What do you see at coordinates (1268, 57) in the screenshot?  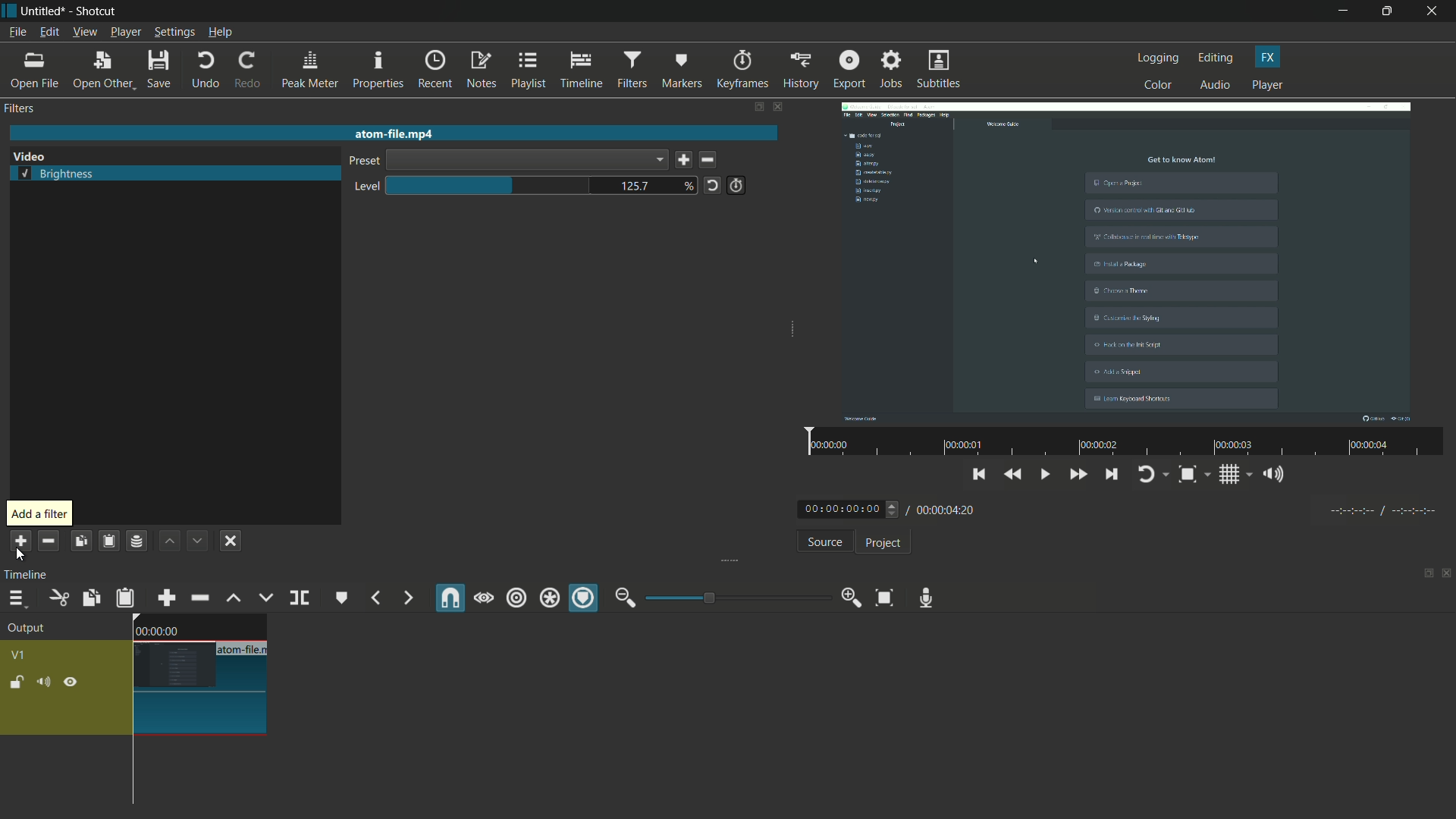 I see `fx` at bounding box center [1268, 57].